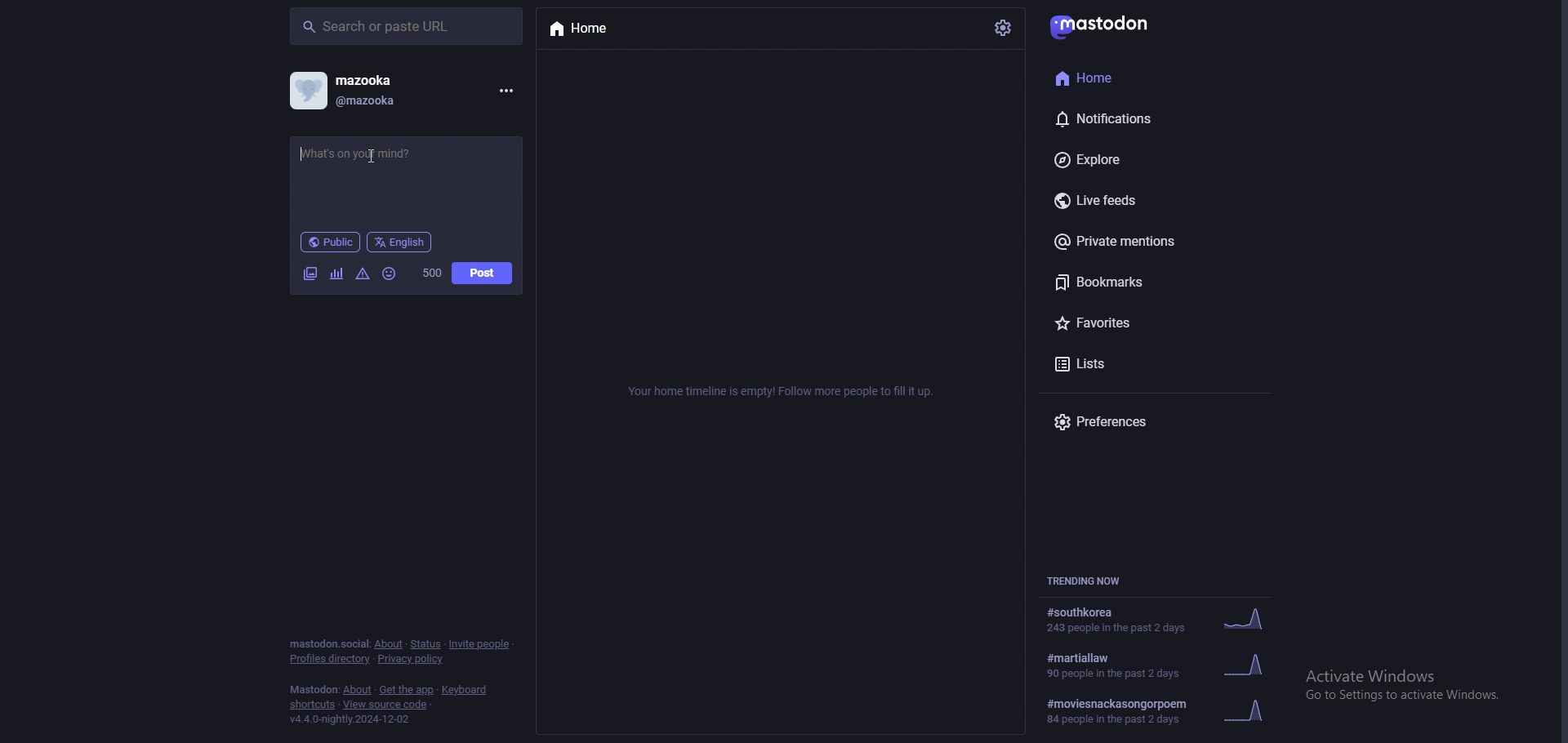 The image size is (1568, 743). Describe the element at coordinates (310, 273) in the screenshot. I see `image` at that location.